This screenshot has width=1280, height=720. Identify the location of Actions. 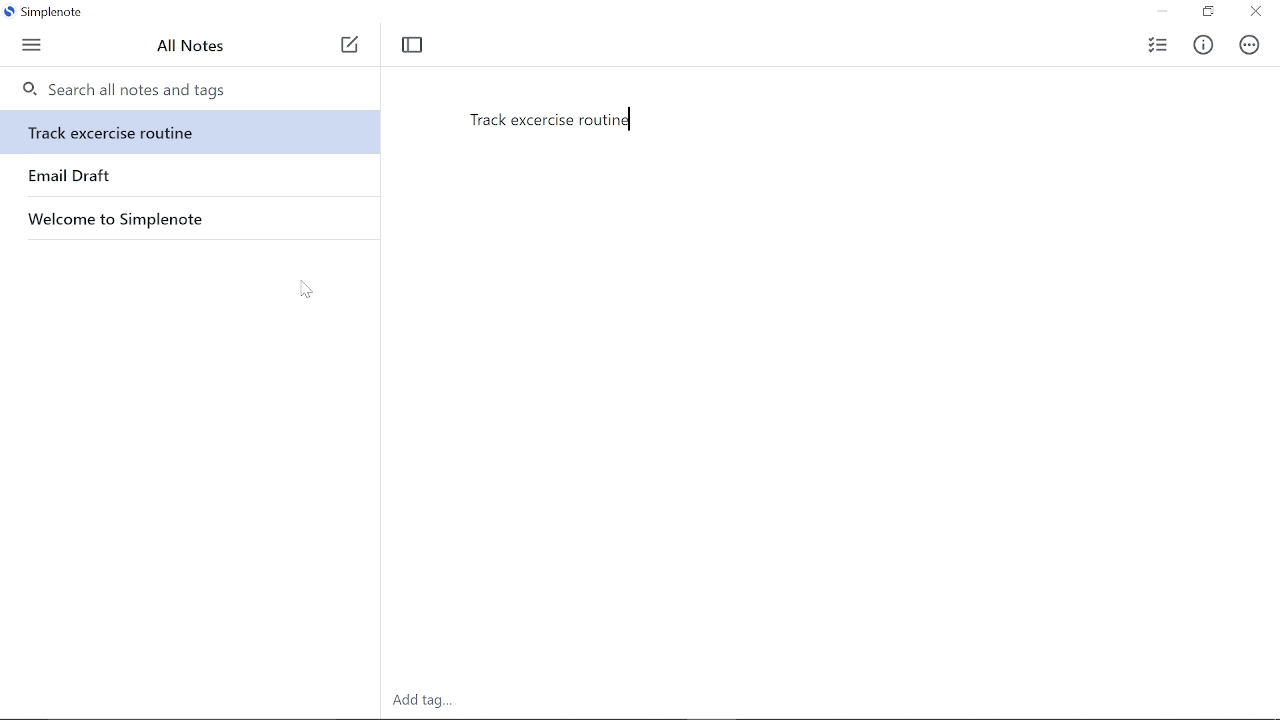
(1250, 46).